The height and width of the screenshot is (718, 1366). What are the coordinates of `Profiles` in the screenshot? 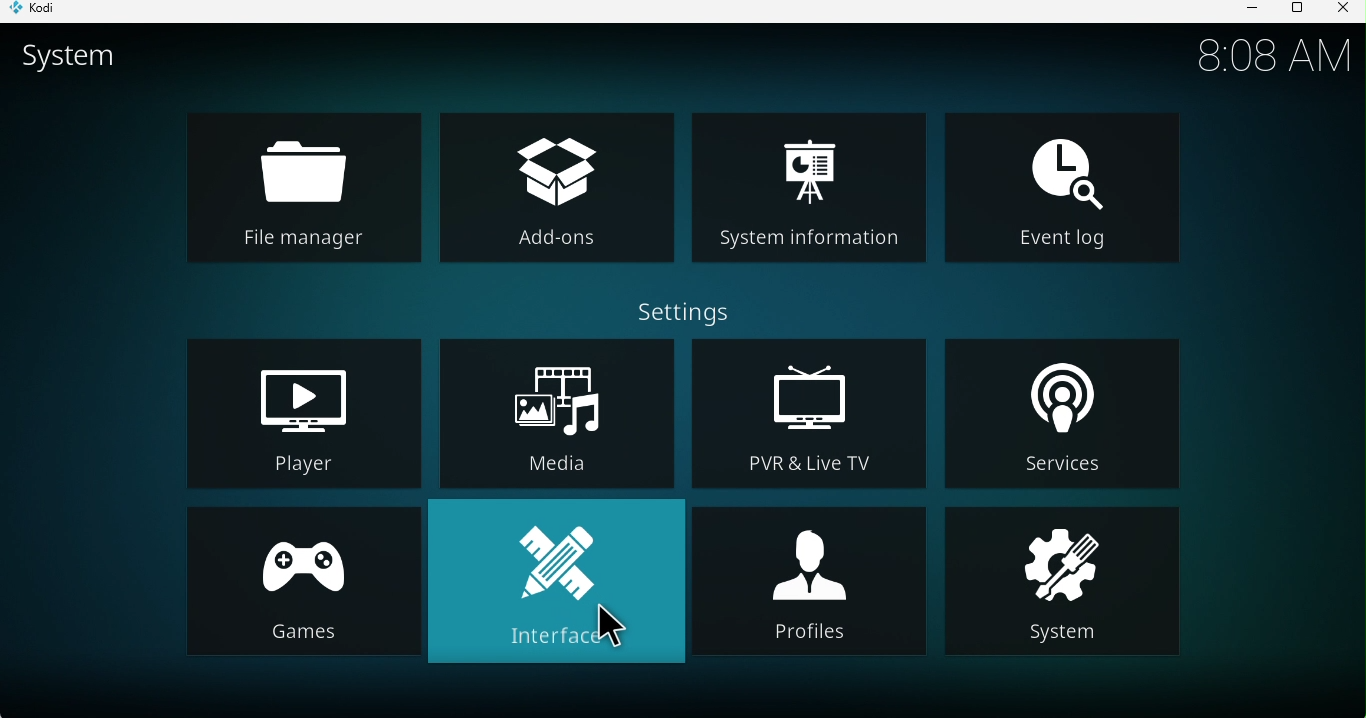 It's located at (810, 579).